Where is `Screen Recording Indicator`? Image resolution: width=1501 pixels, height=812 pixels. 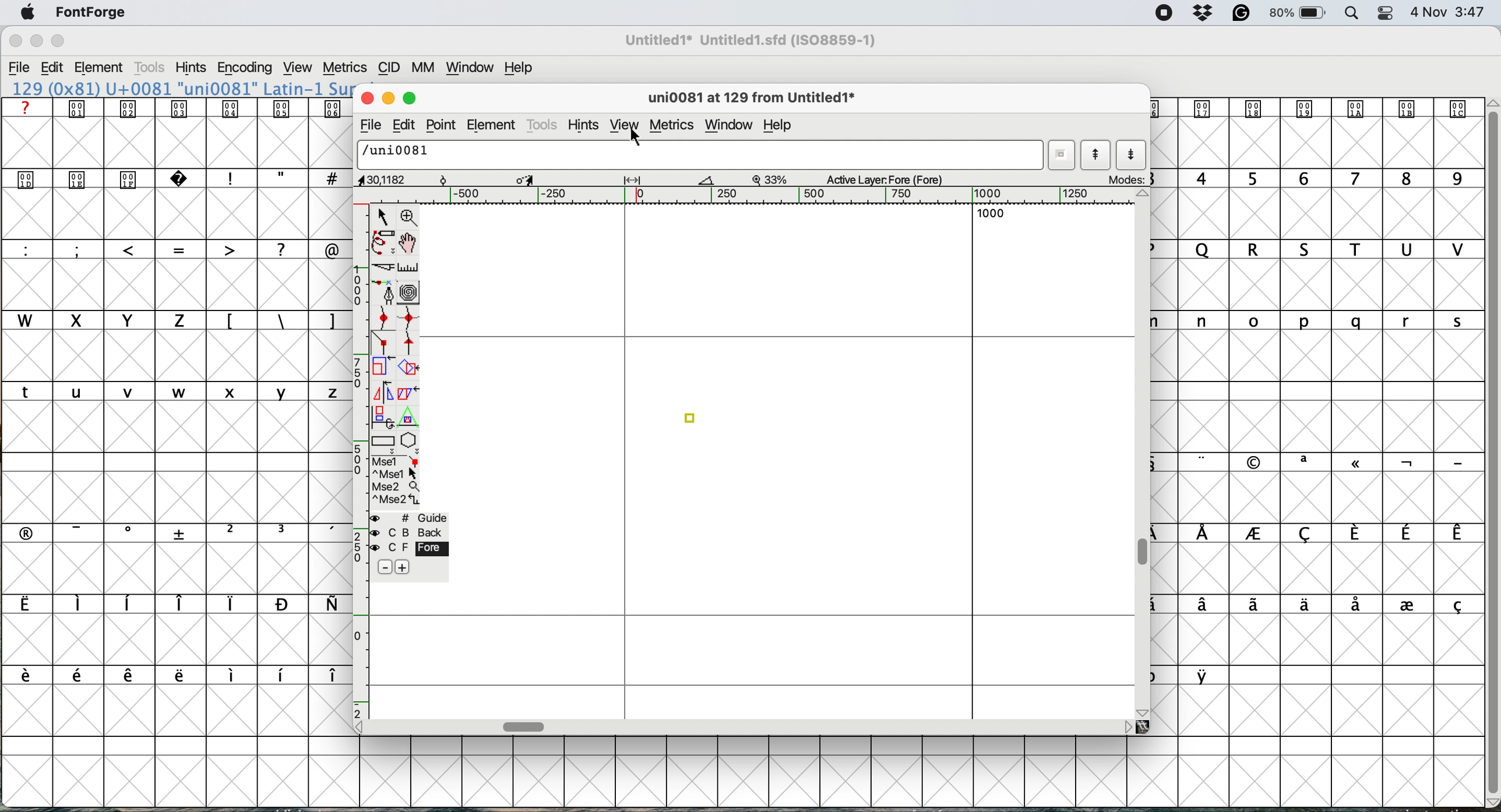 Screen Recording Indicator is located at coordinates (1164, 13).